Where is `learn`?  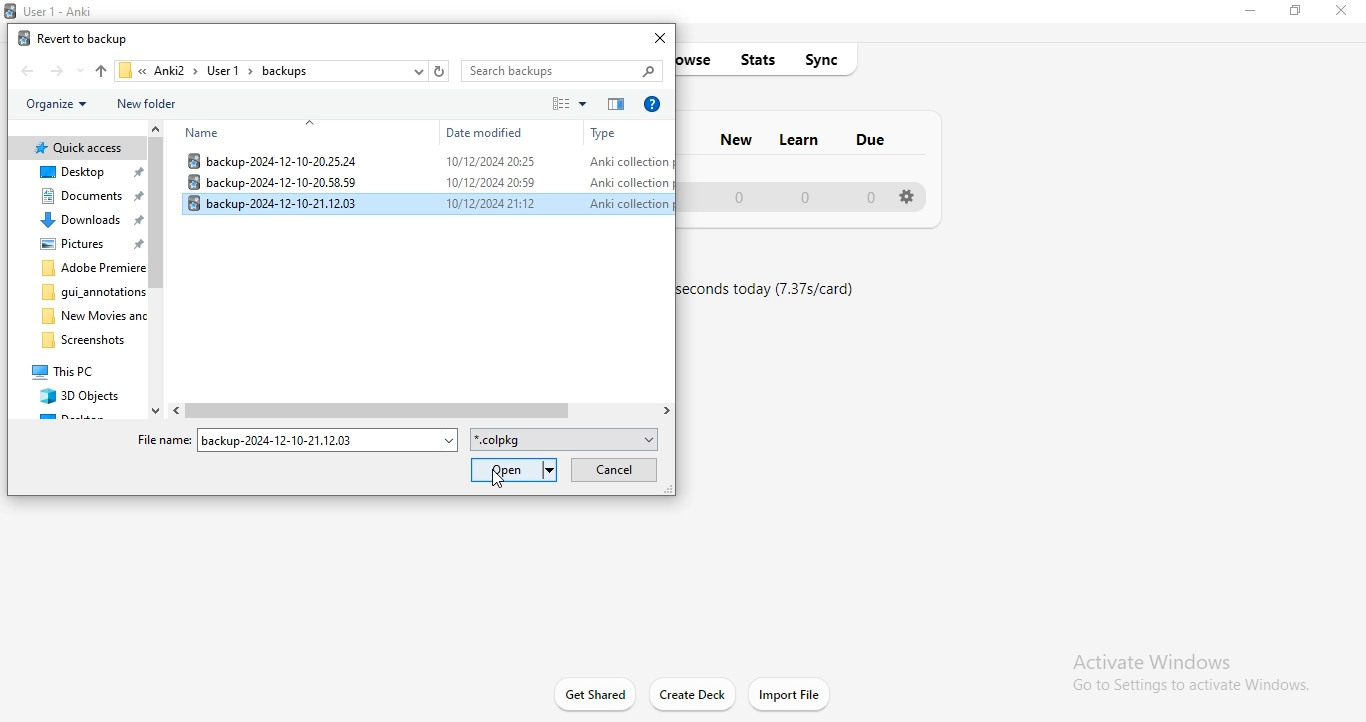
learn is located at coordinates (801, 137).